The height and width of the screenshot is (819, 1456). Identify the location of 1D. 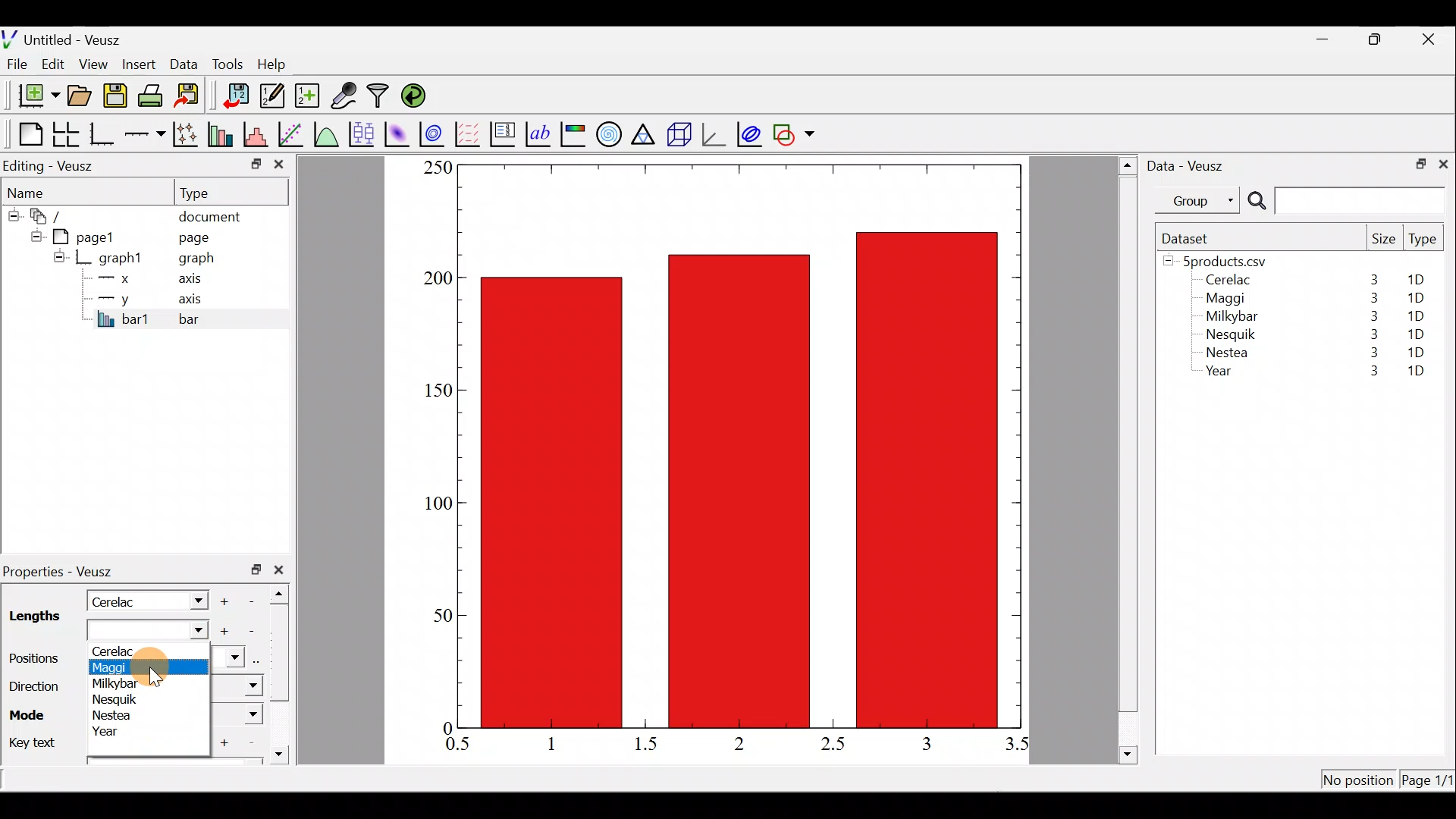
(1416, 372).